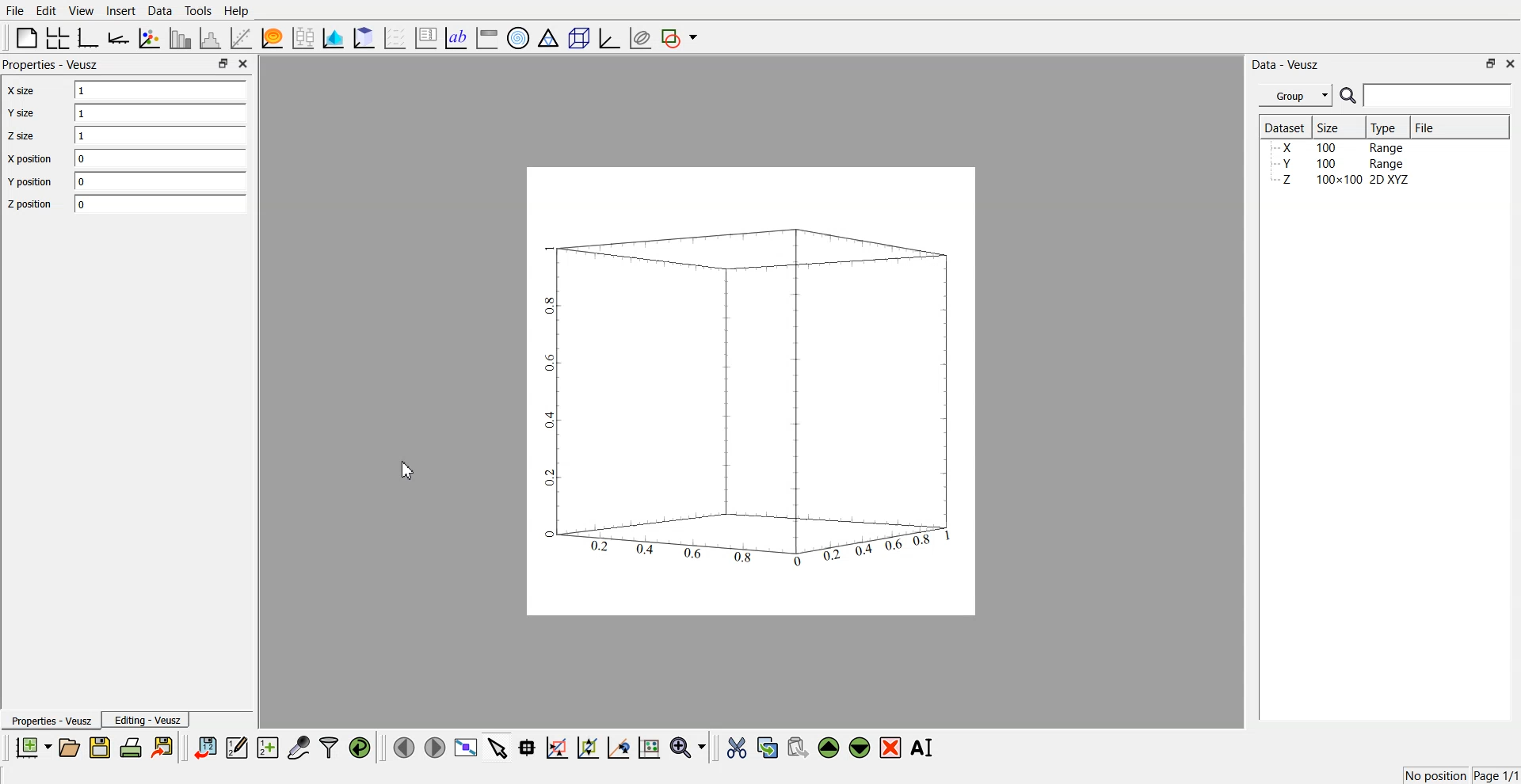 The image size is (1521, 784). Describe the element at coordinates (244, 63) in the screenshot. I see `Close` at that location.